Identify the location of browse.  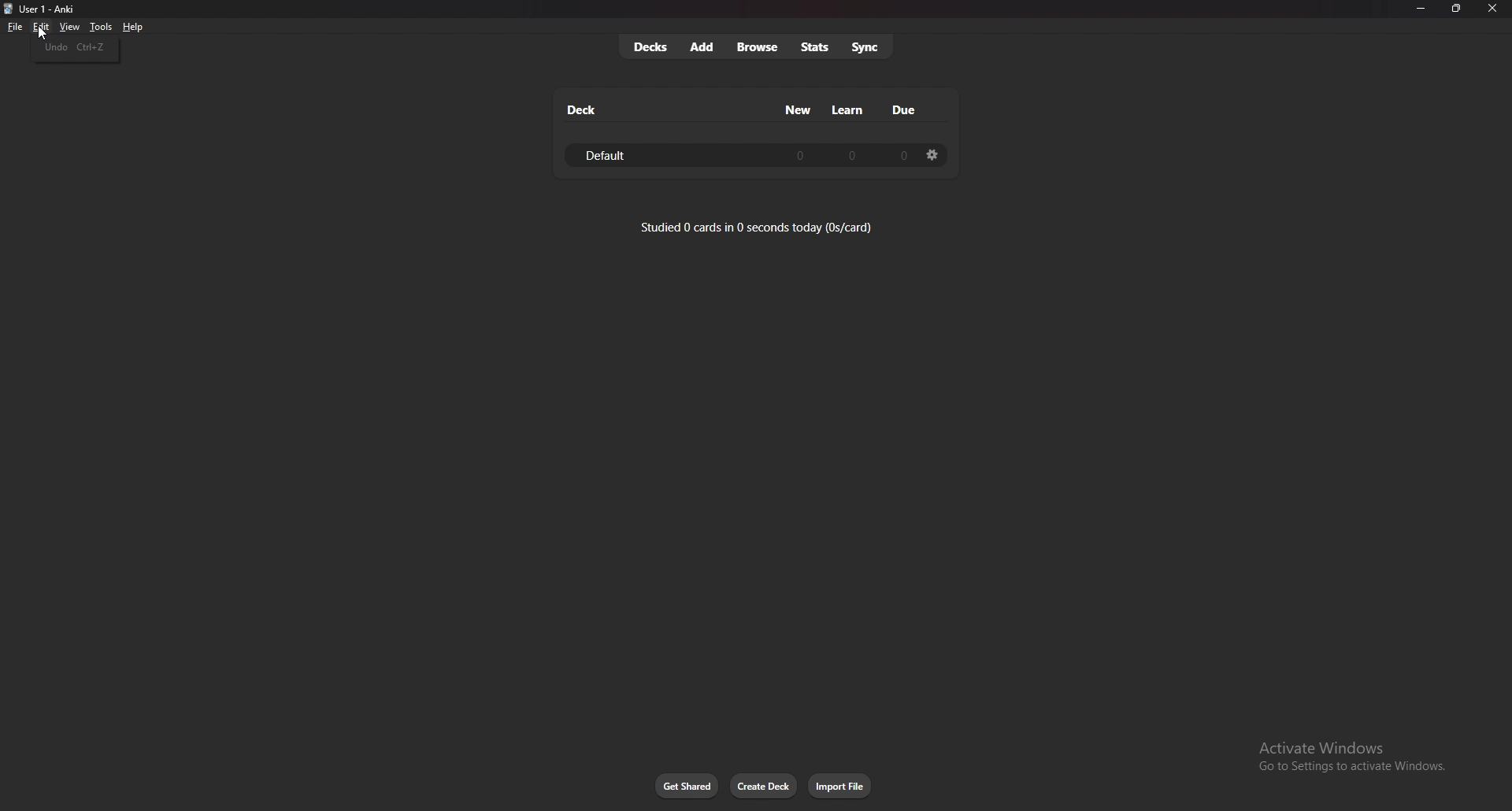
(758, 47).